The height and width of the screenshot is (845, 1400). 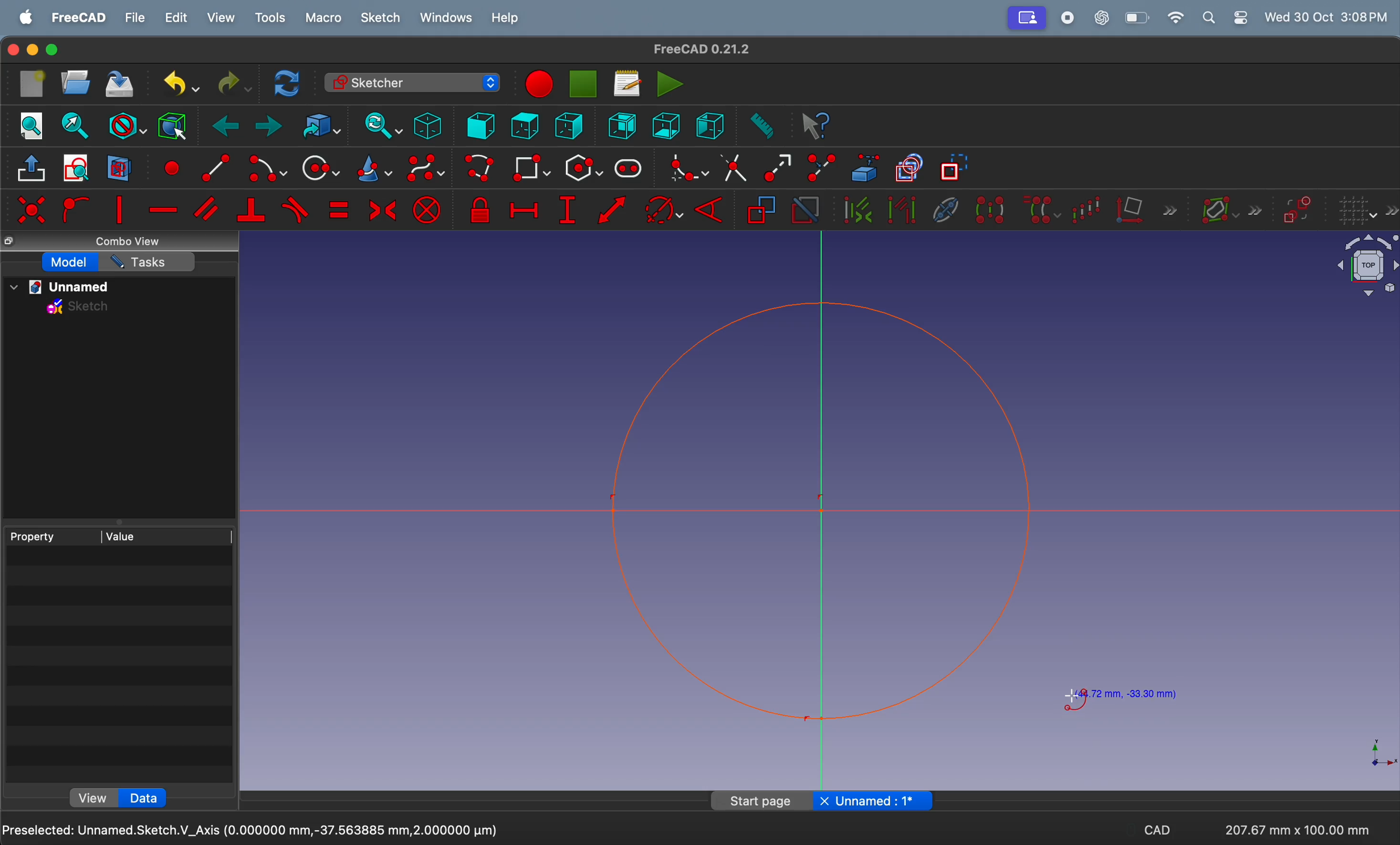 What do you see at coordinates (11, 242) in the screenshot?
I see `copy` at bounding box center [11, 242].